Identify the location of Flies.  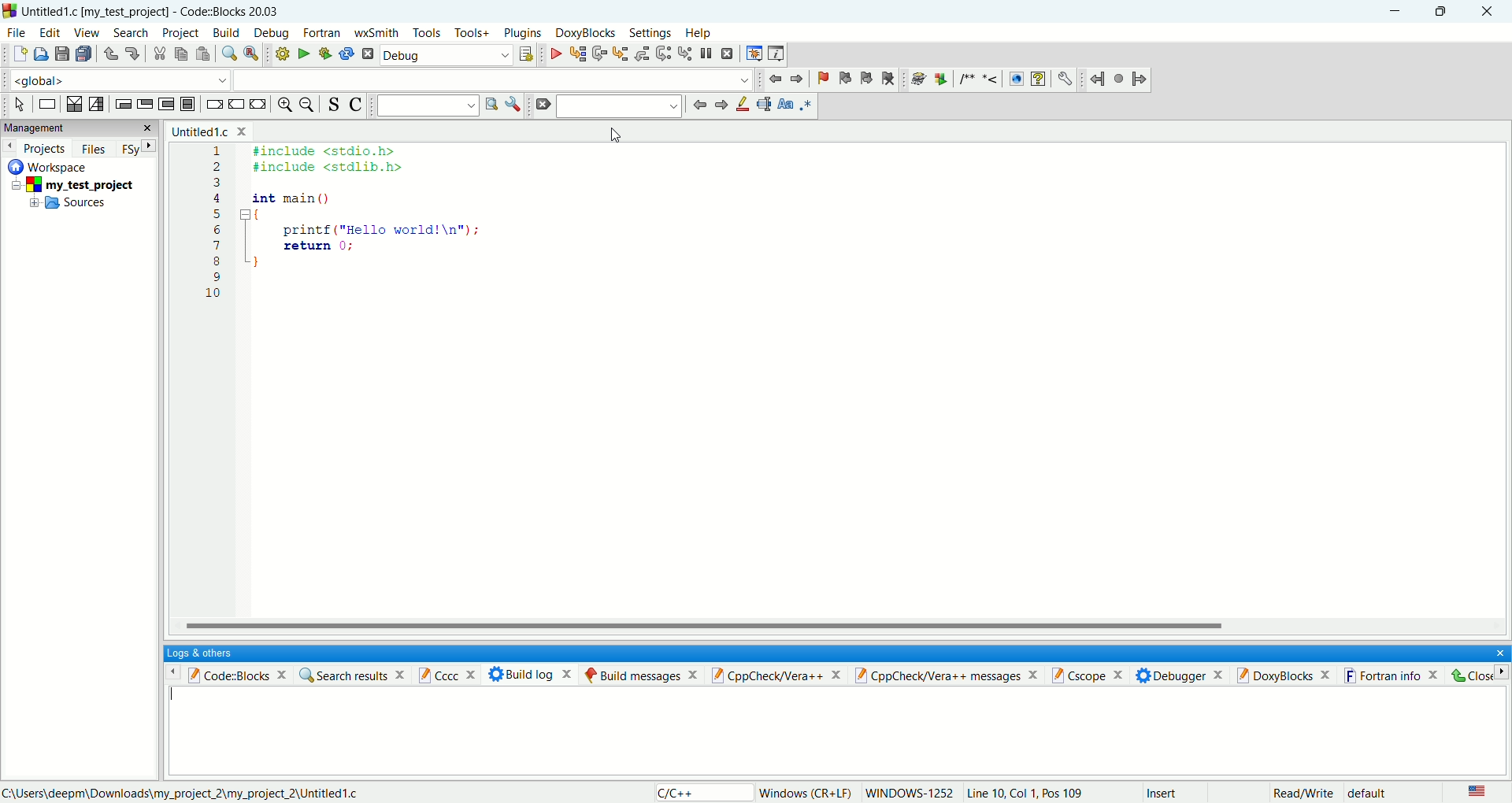
(92, 146).